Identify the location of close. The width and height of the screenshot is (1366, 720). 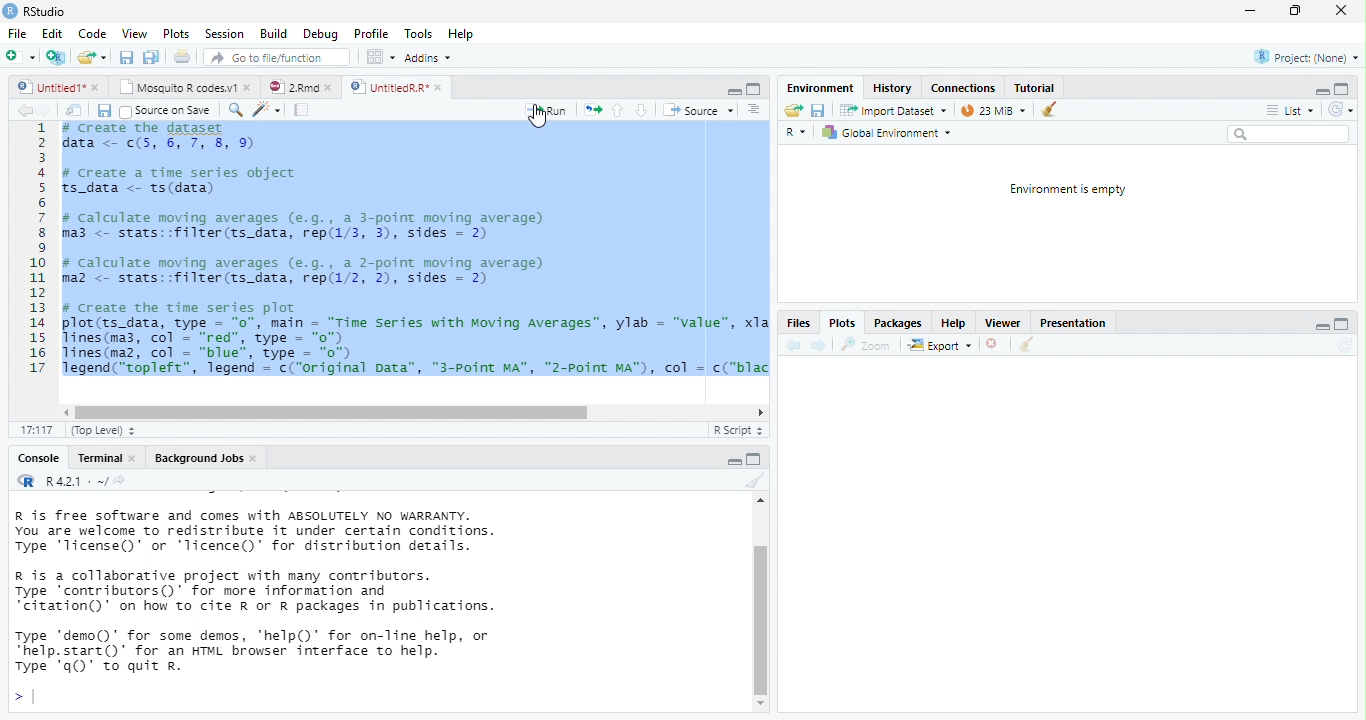
(136, 459).